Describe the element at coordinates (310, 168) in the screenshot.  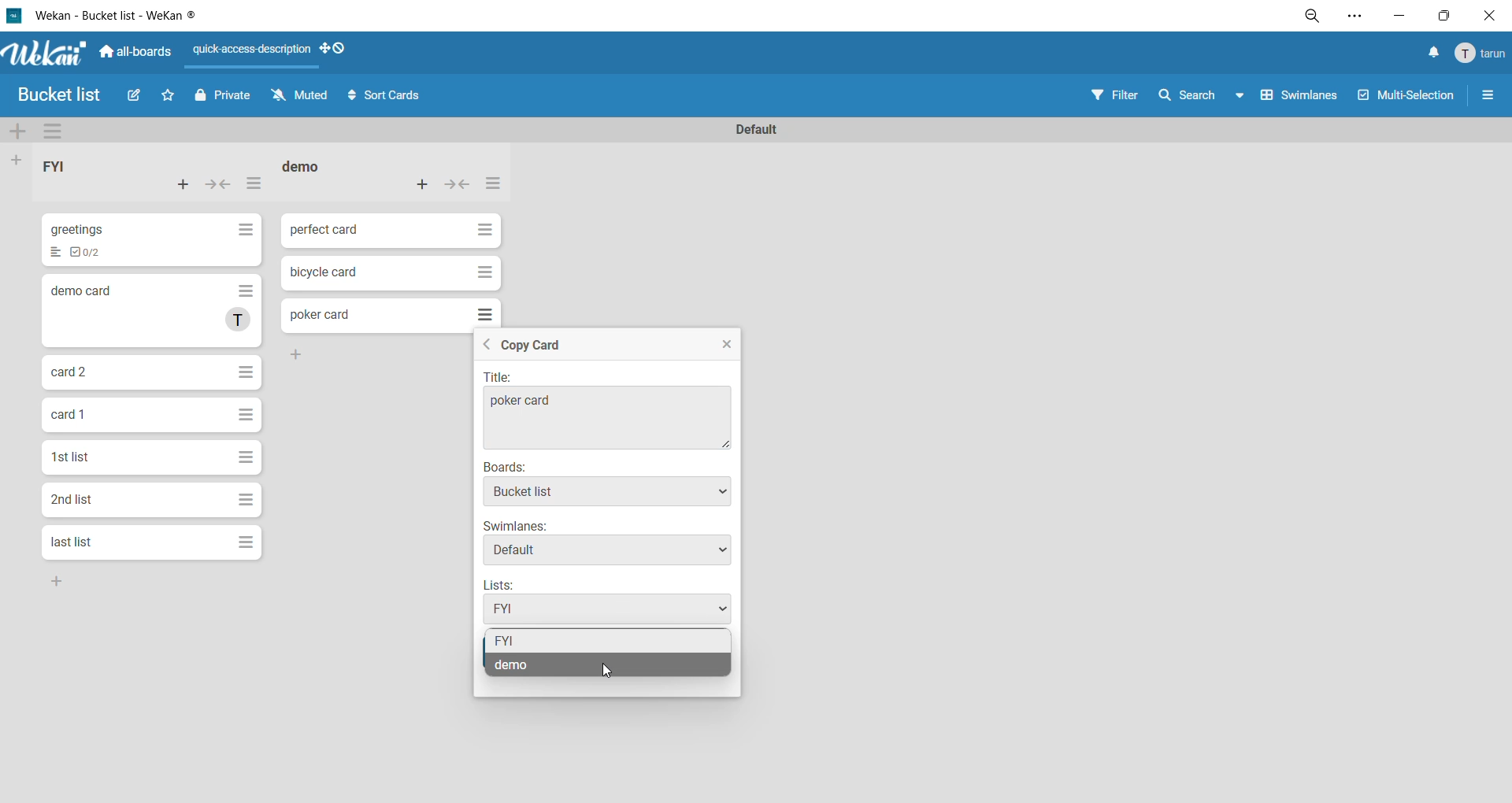
I see `list title ` at that location.